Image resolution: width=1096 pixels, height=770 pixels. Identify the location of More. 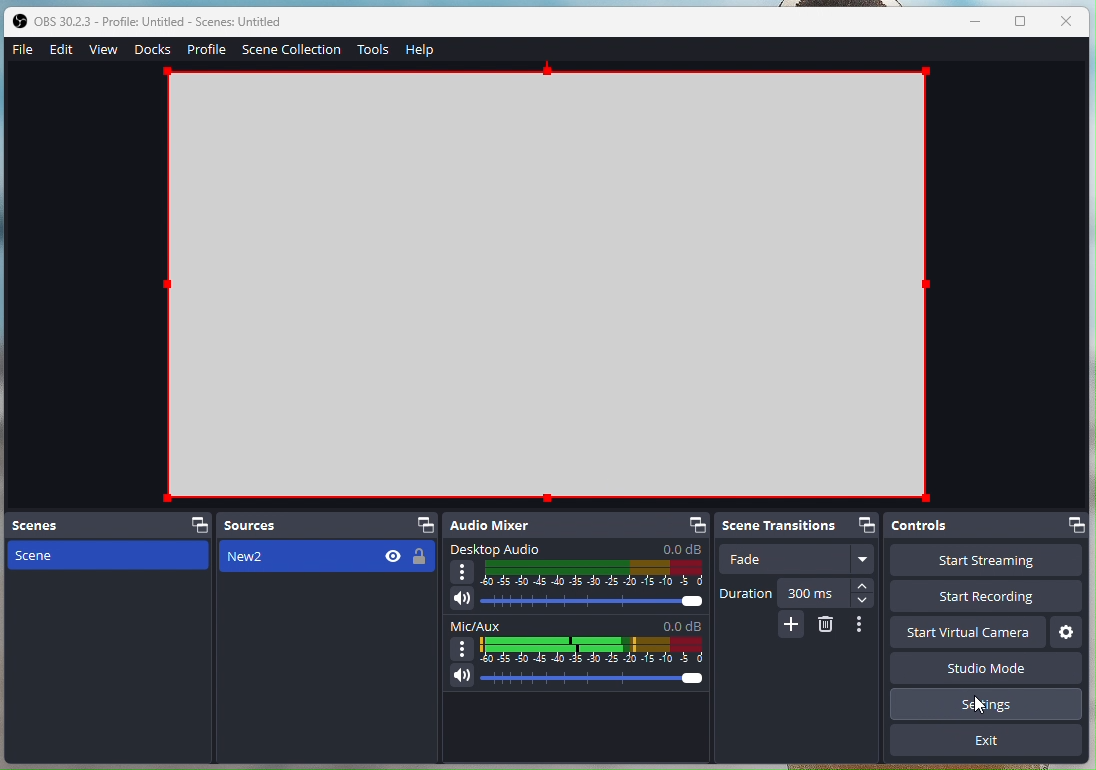
(860, 626).